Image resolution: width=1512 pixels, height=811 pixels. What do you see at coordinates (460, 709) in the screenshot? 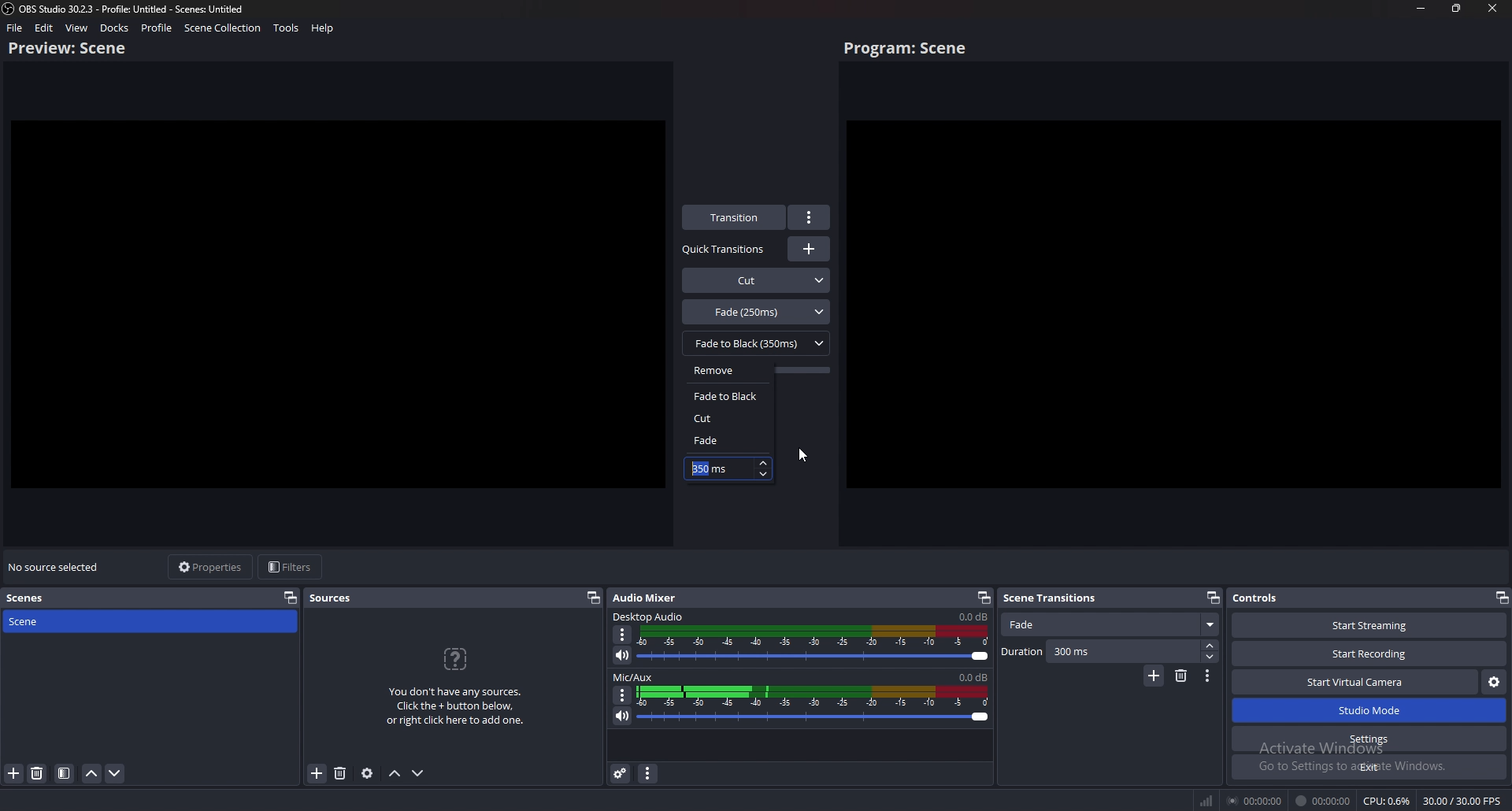
I see `You don't have any sources.
Click the + button below,
or right click here to add one.` at bounding box center [460, 709].